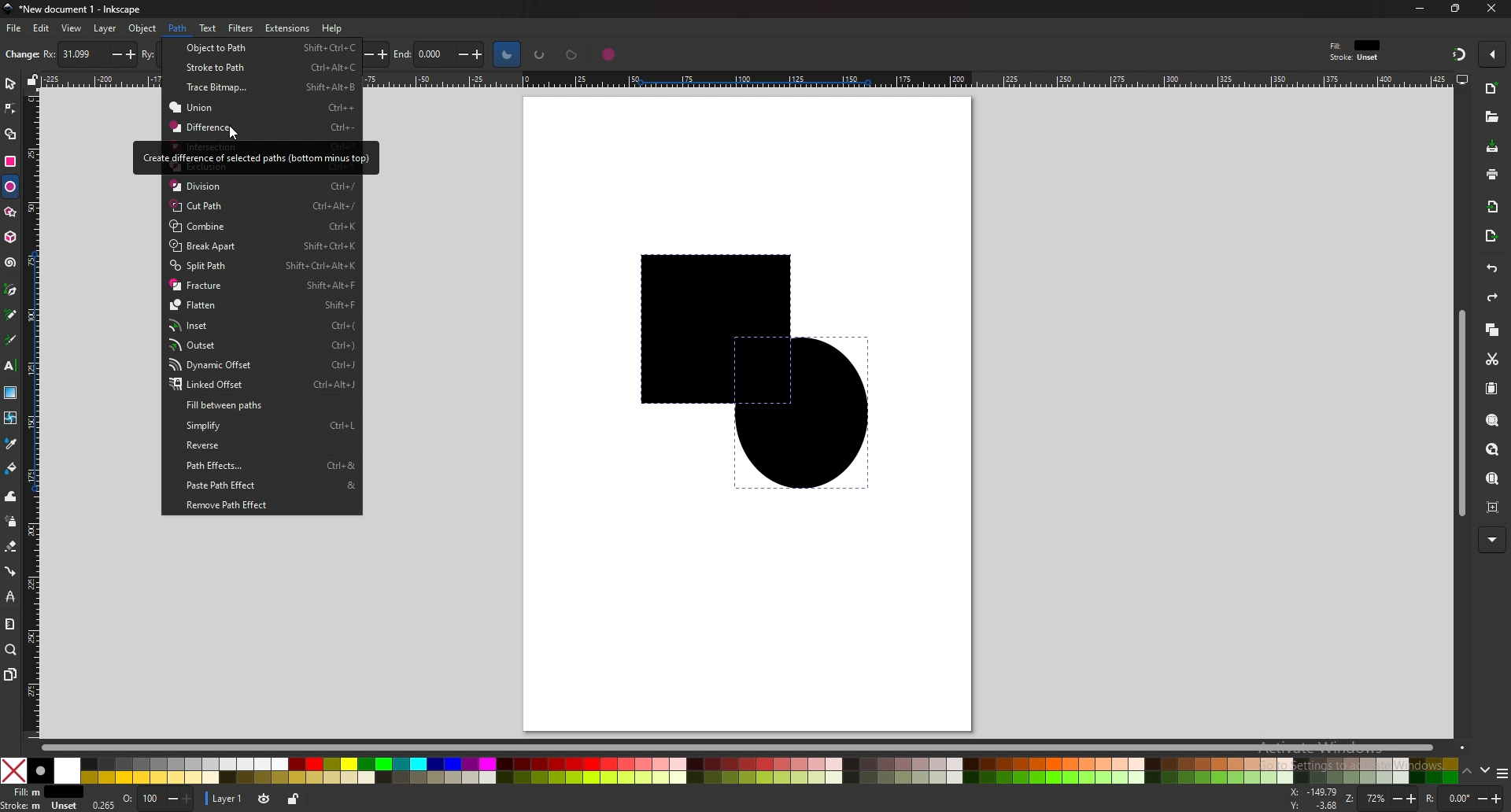 Image resolution: width=1511 pixels, height=812 pixels. Describe the element at coordinates (331, 28) in the screenshot. I see `help` at that location.